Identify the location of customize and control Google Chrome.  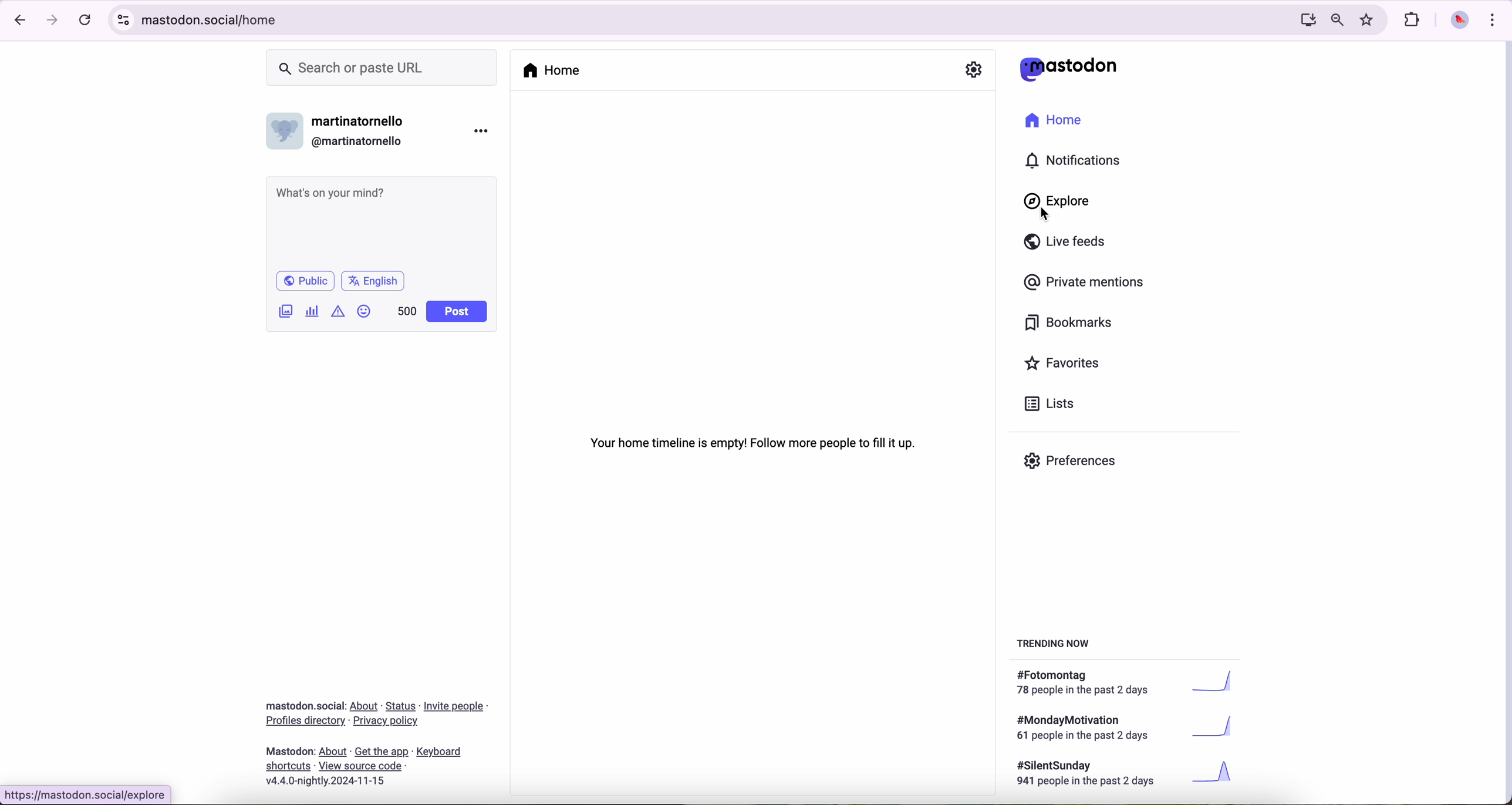
(1491, 19).